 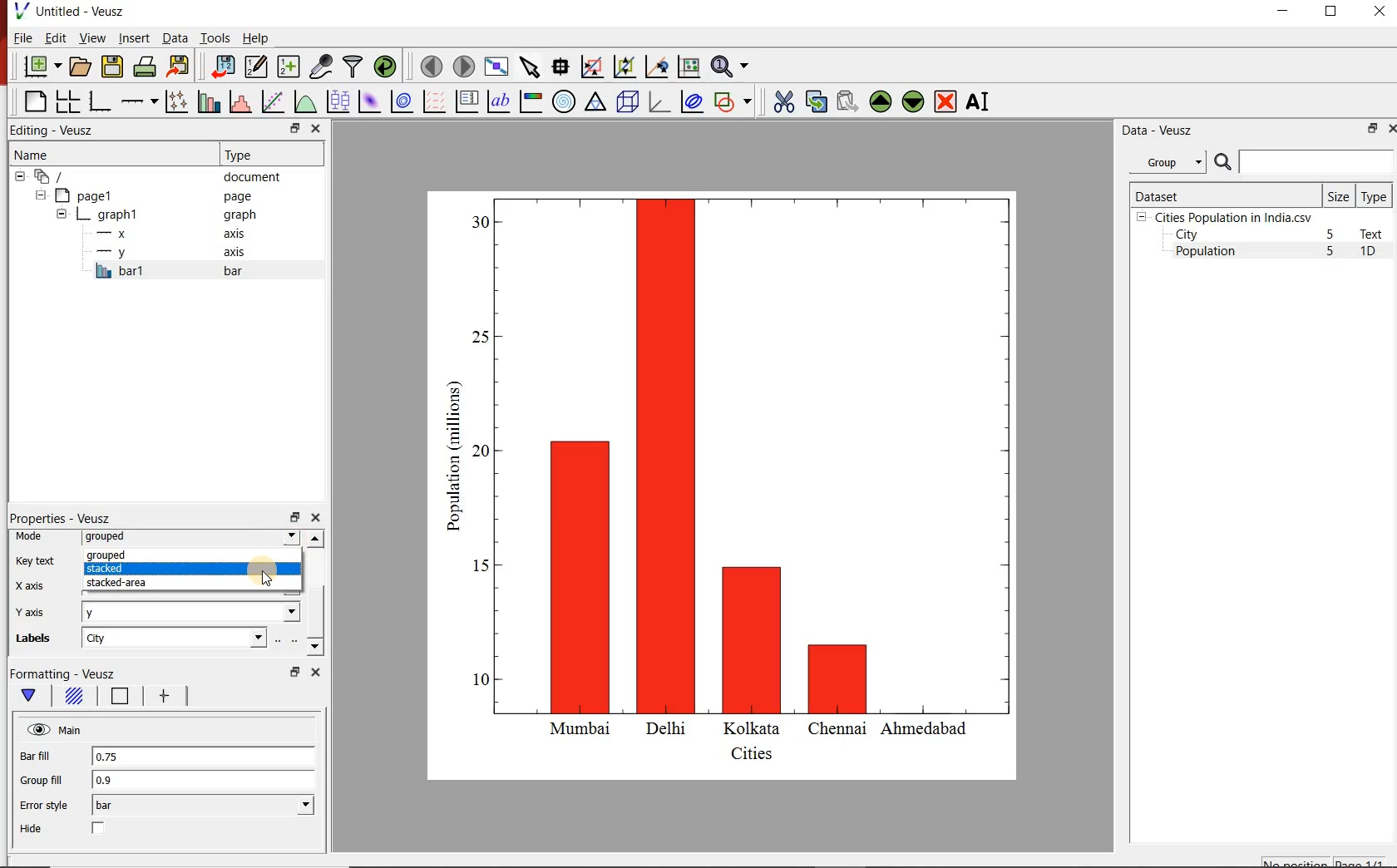 I want to click on bar1, so click(x=186, y=271).